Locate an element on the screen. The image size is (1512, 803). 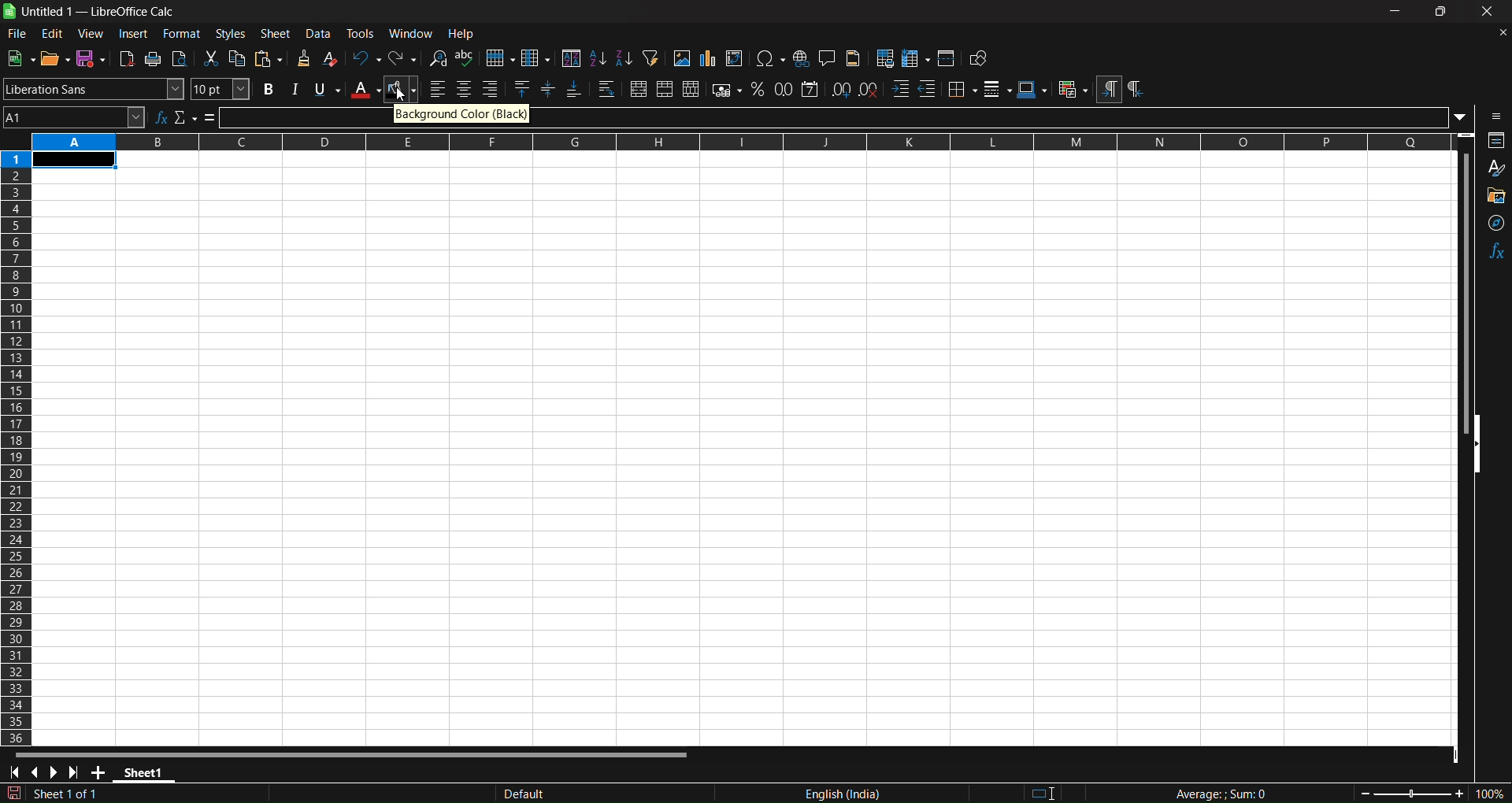
italic is located at coordinates (295, 87).